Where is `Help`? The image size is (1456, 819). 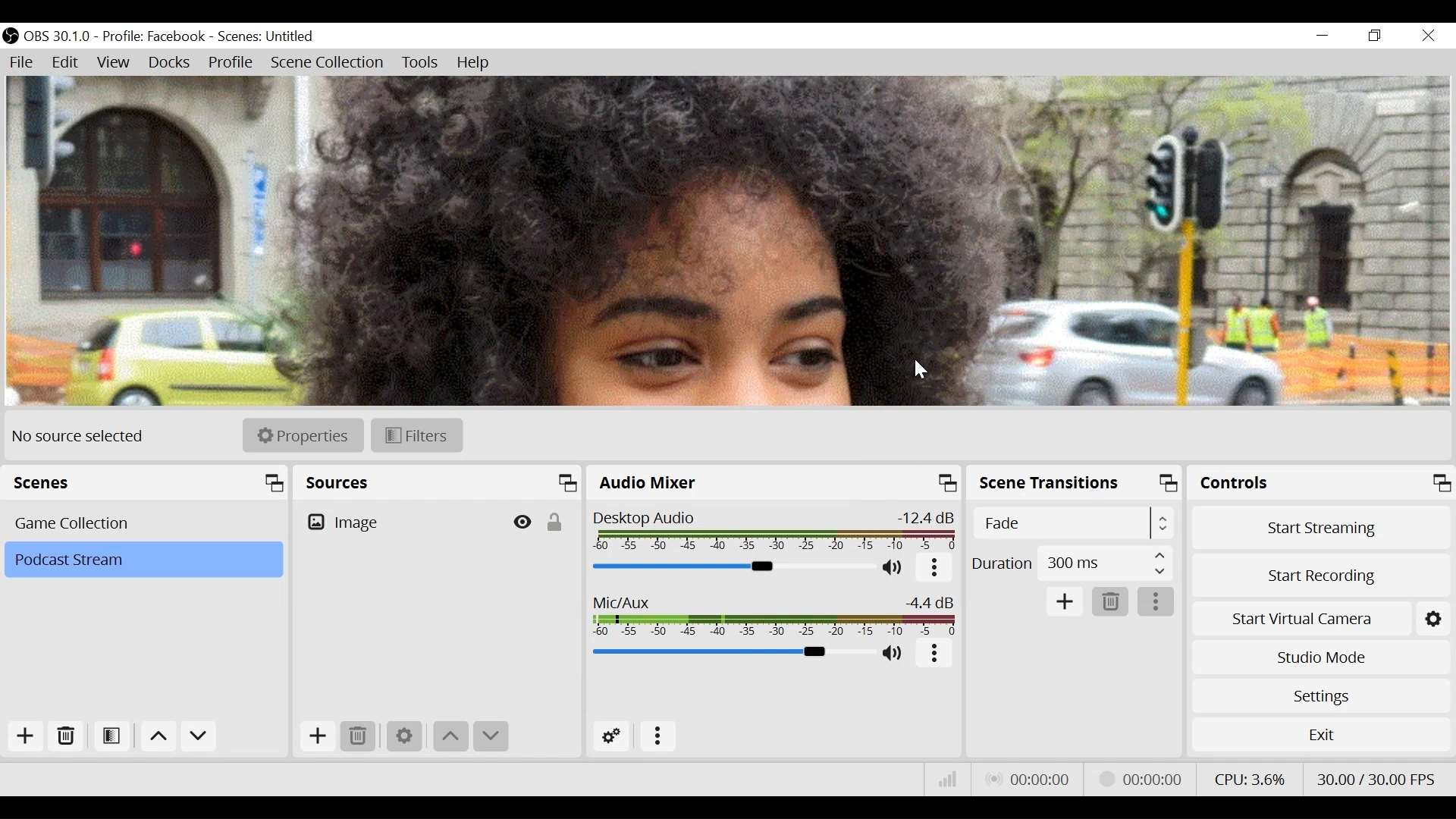 Help is located at coordinates (472, 62).